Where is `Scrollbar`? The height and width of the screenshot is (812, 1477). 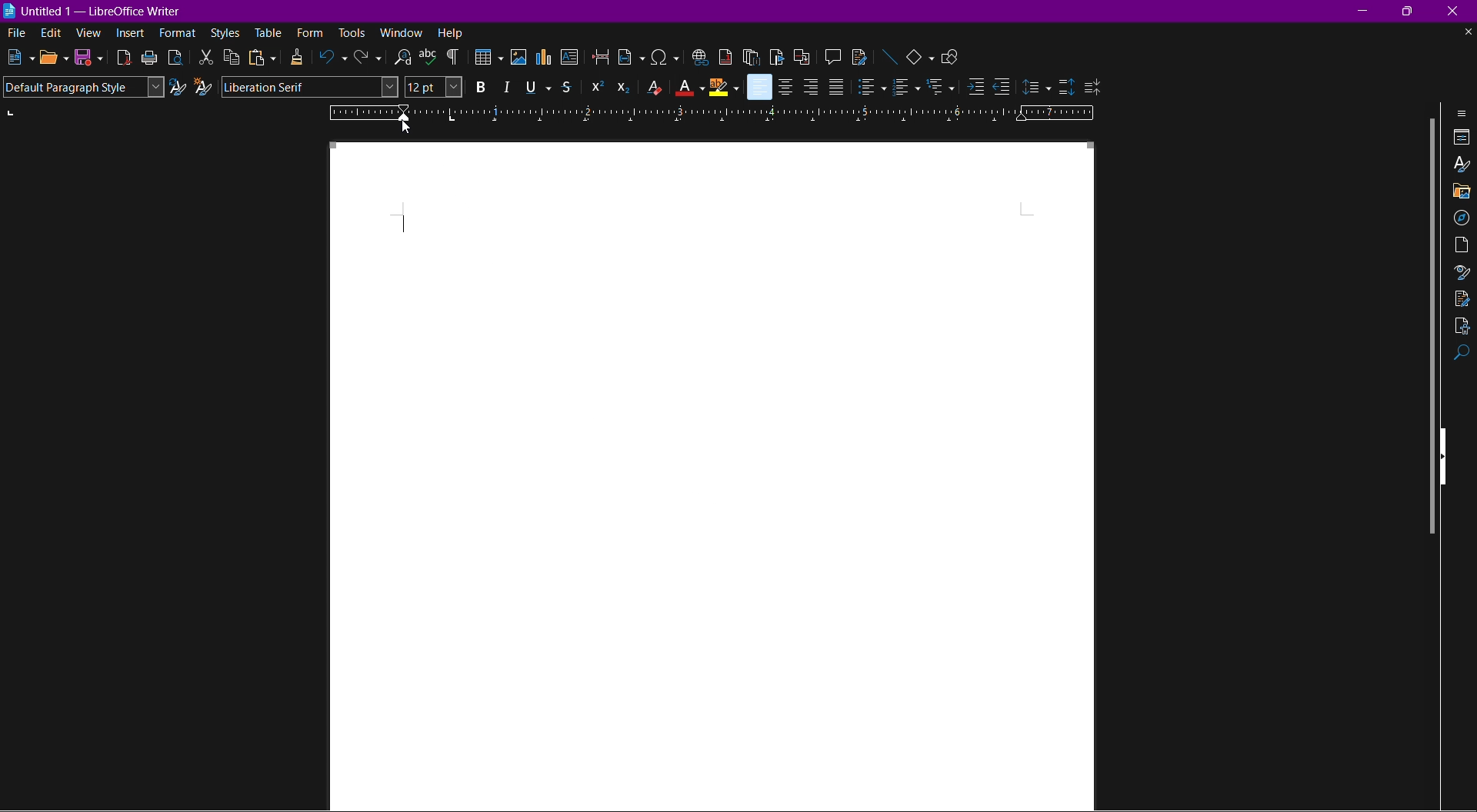
Scrollbar is located at coordinates (1425, 328).